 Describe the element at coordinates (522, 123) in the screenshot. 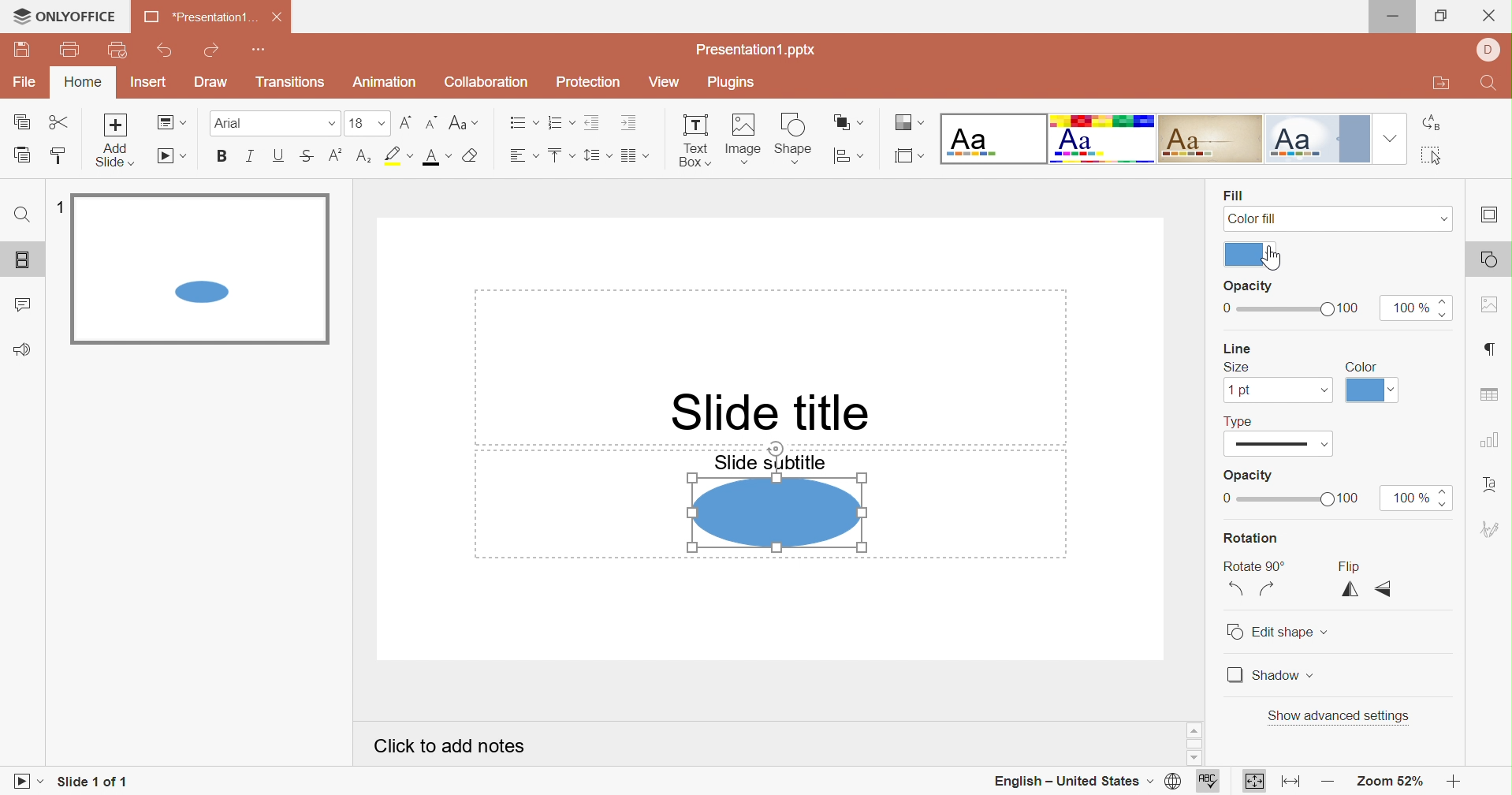

I see `Bullets` at that location.